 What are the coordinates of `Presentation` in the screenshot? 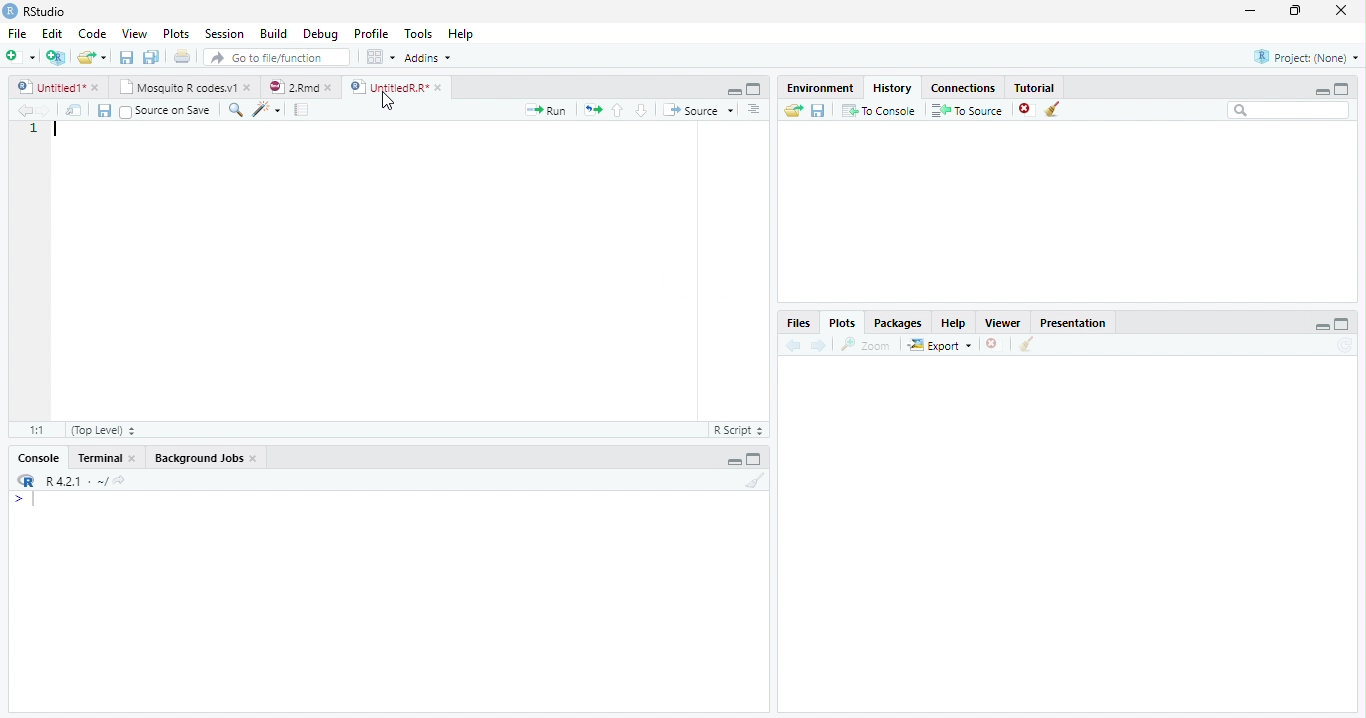 It's located at (1072, 322).